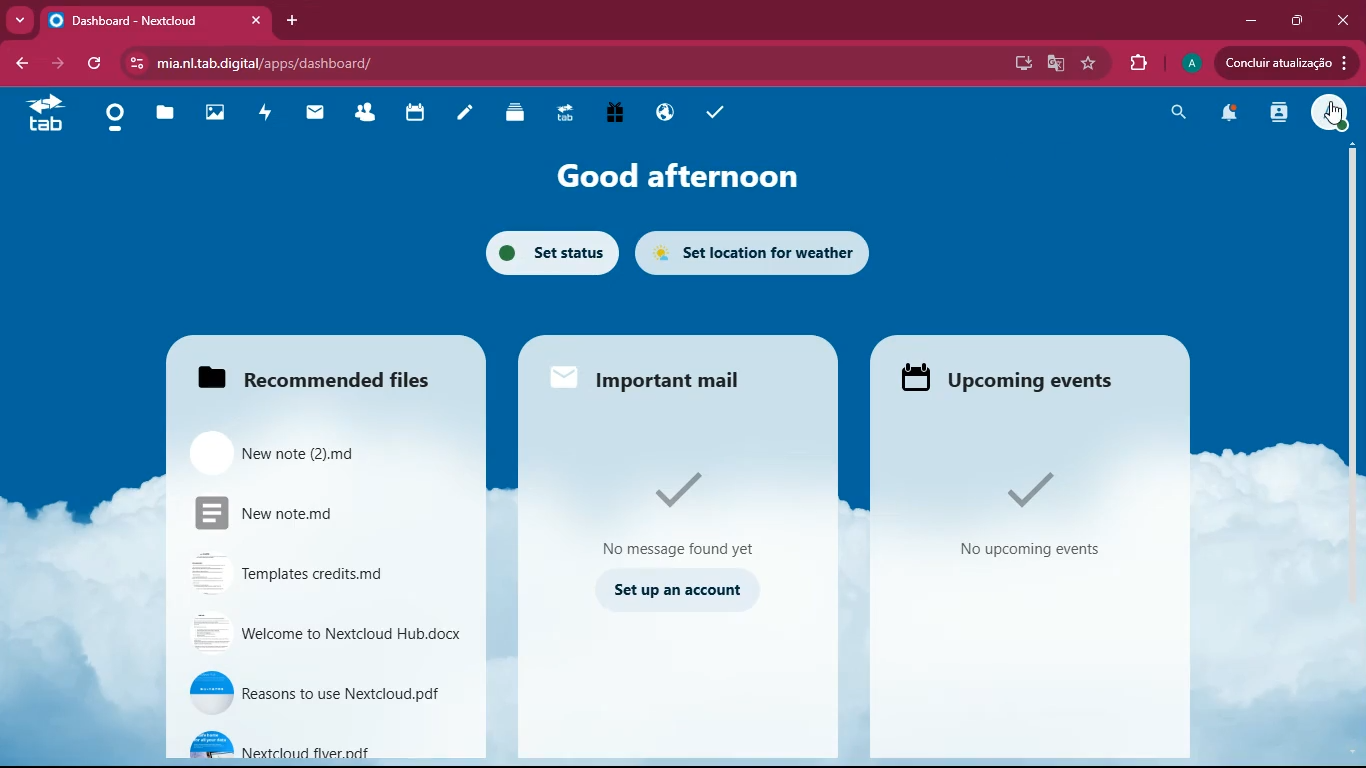 The height and width of the screenshot is (768, 1366). Describe the element at coordinates (25, 63) in the screenshot. I see `back` at that location.